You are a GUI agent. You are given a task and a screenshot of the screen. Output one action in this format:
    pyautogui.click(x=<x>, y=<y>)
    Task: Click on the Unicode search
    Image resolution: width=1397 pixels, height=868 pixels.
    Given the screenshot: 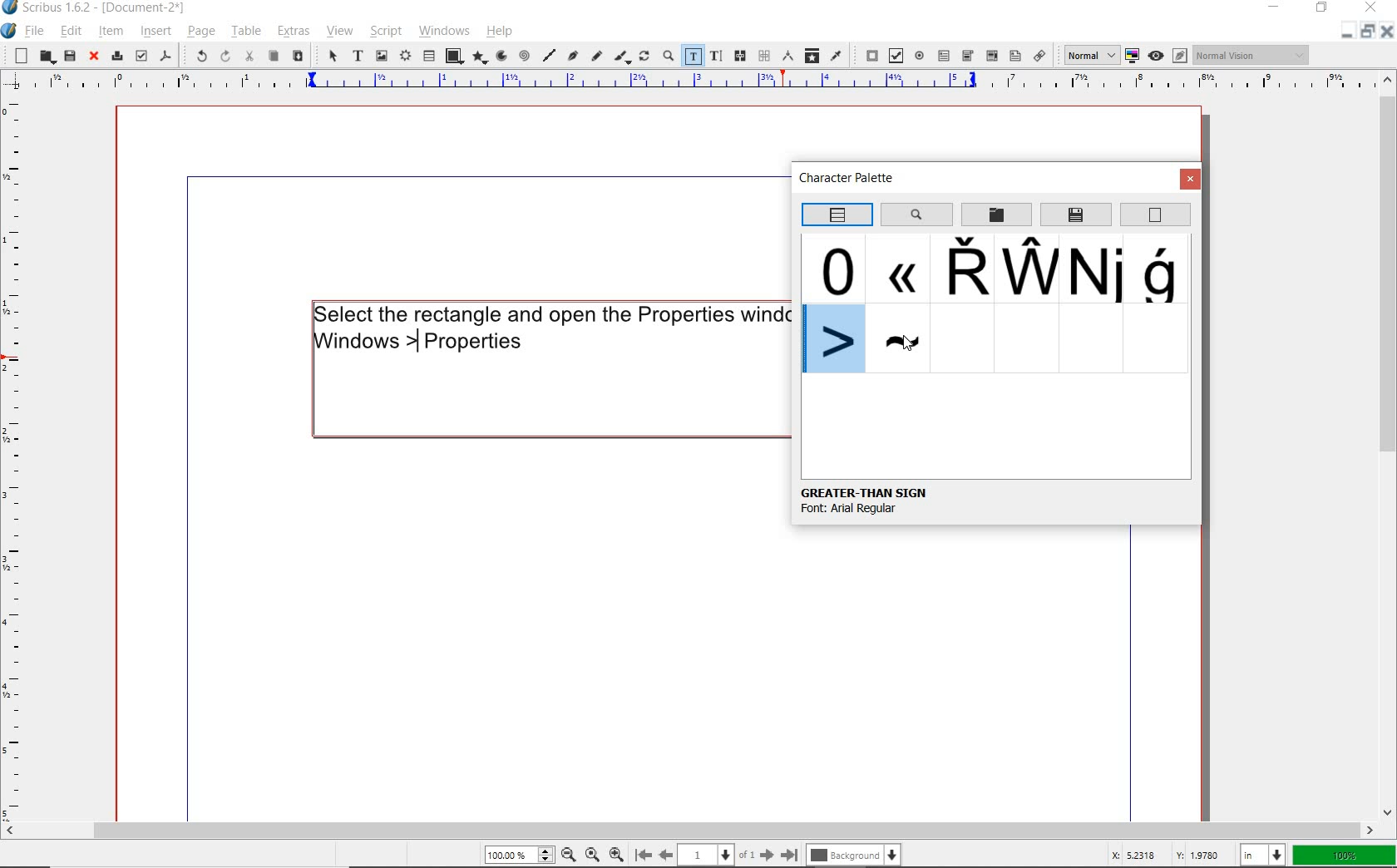 What is the action you would take?
    pyautogui.click(x=916, y=214)
    